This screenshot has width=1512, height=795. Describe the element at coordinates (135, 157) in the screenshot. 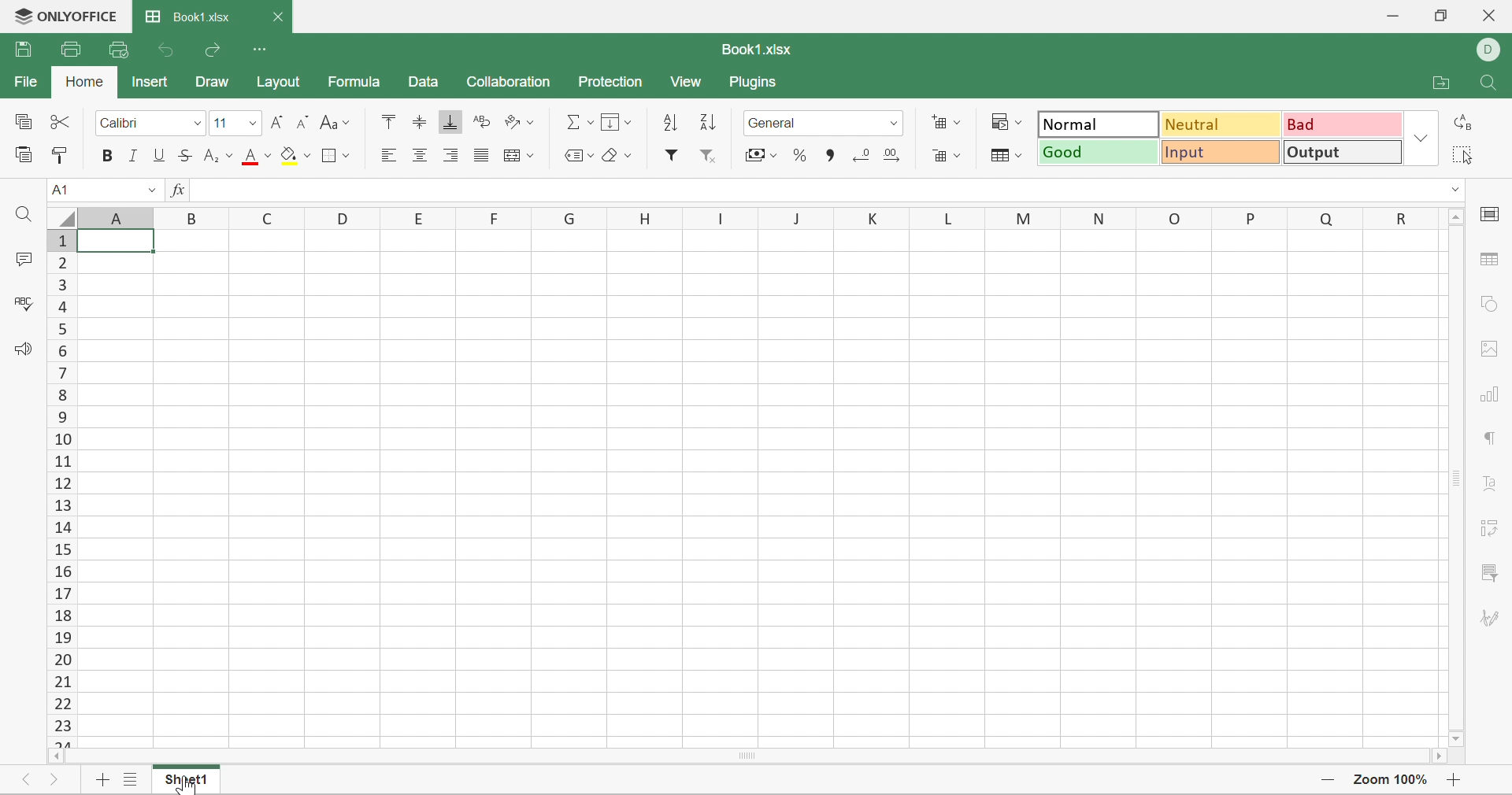

I see `Italic` at that location.